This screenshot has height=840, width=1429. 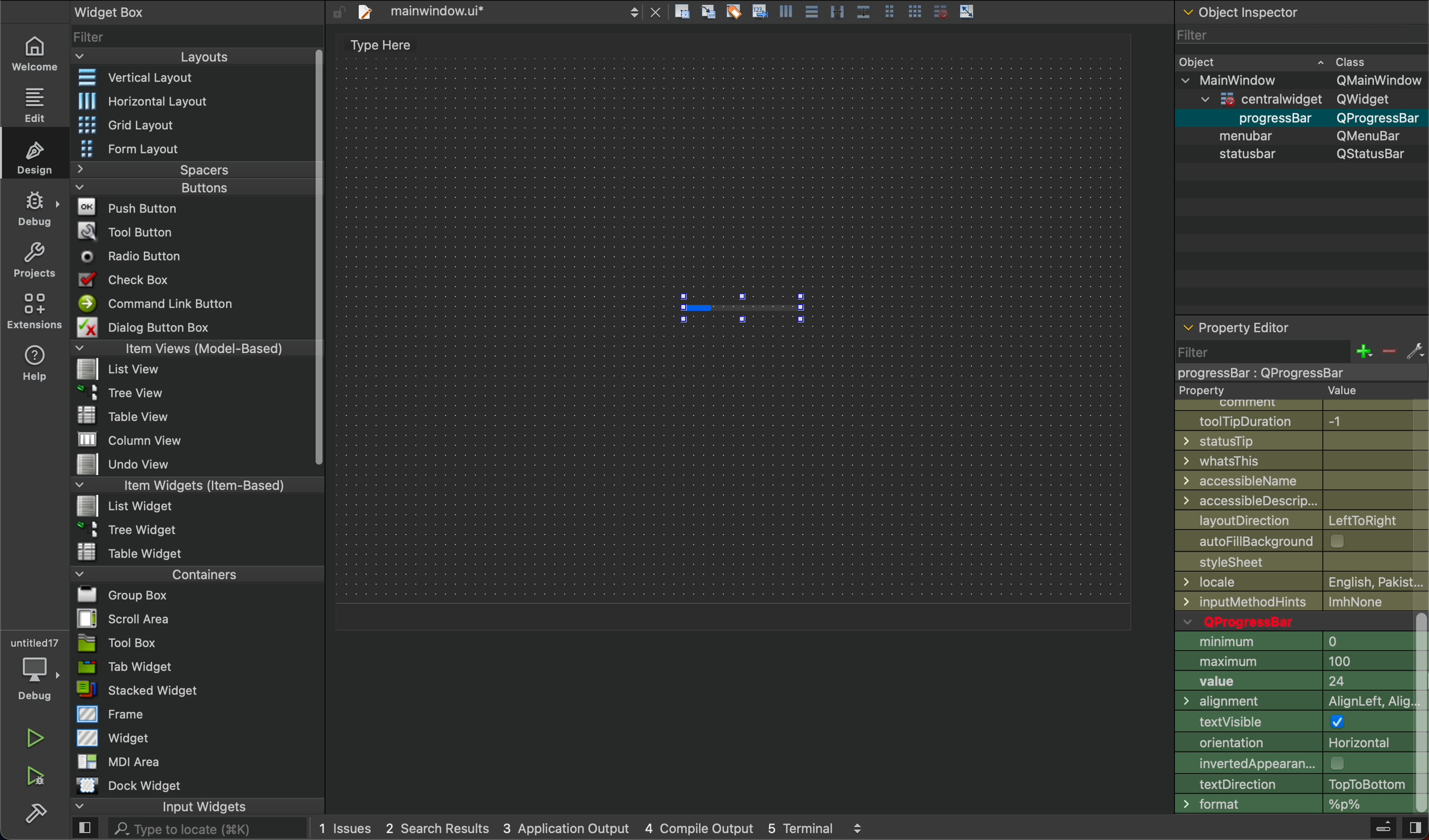 What do you see at coordinates (1414, 828) in the screenshot?
I see `close sidebar` at bounding box center [1414, 828].